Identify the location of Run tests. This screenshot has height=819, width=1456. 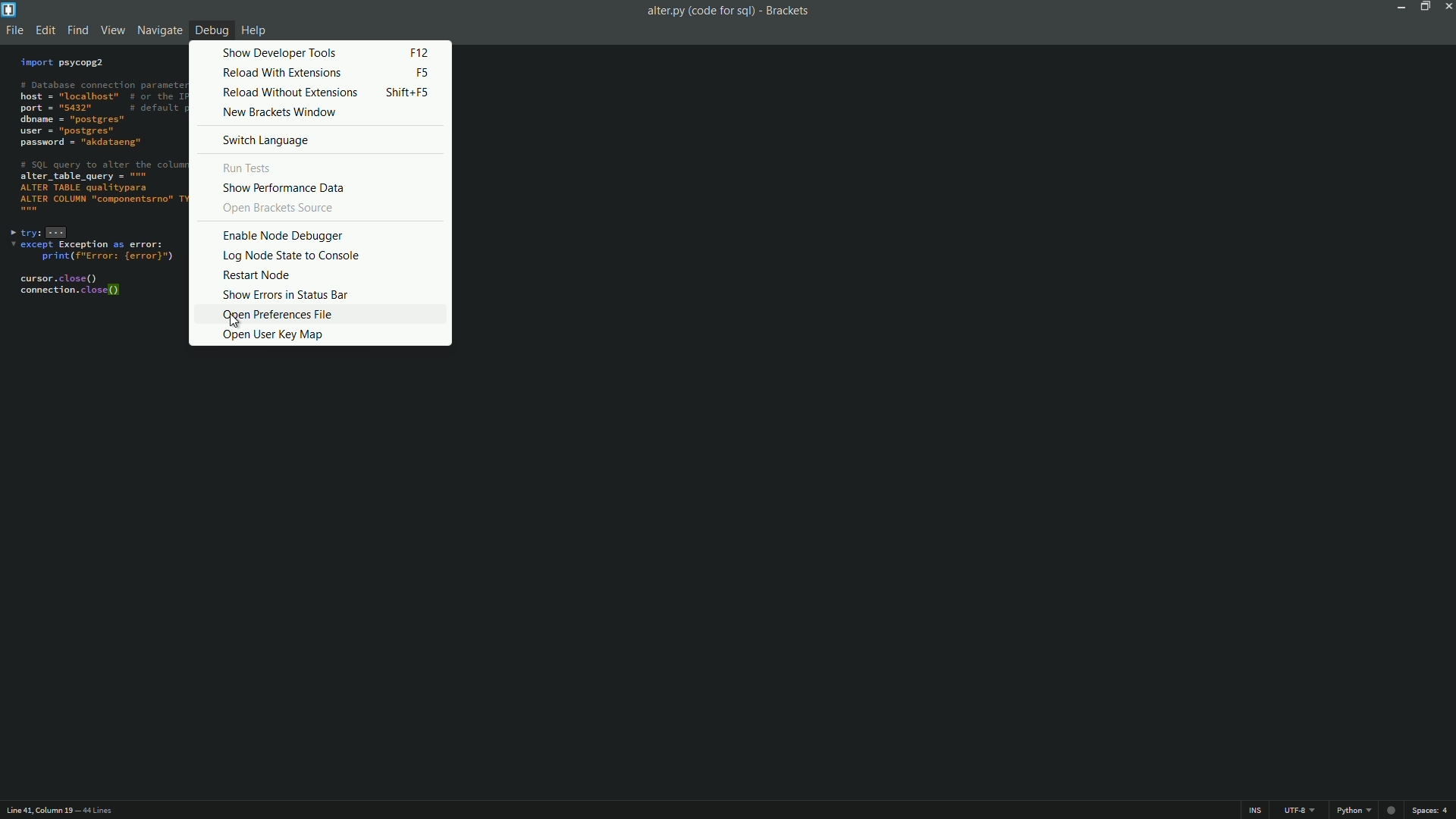
(314, 168).